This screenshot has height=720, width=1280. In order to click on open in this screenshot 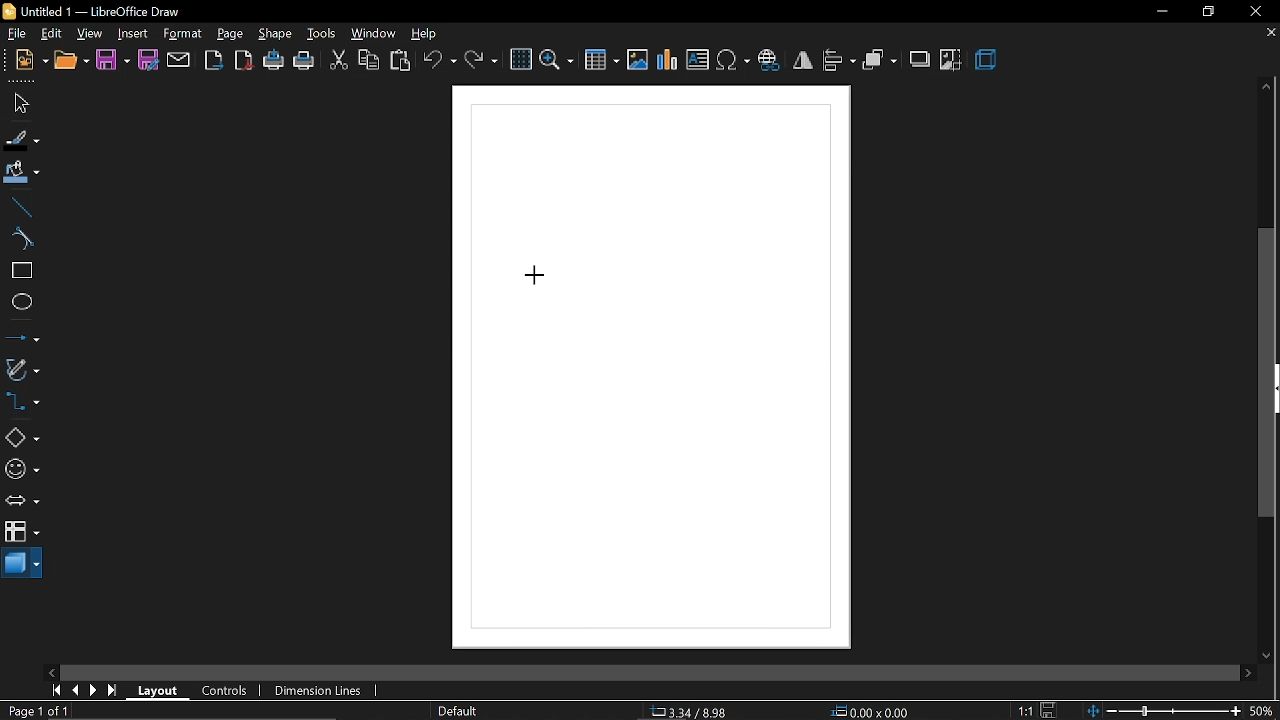, I will do `click(72, 60)`.